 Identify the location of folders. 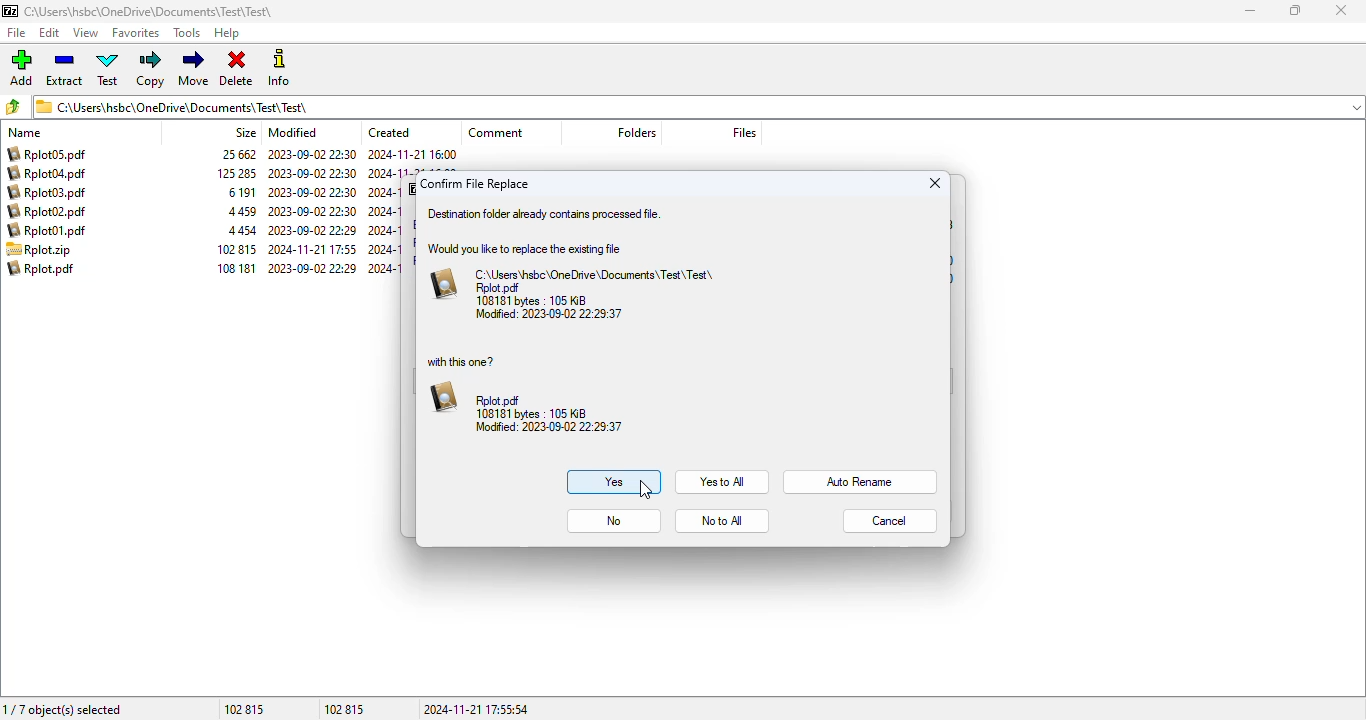
(636, 132).